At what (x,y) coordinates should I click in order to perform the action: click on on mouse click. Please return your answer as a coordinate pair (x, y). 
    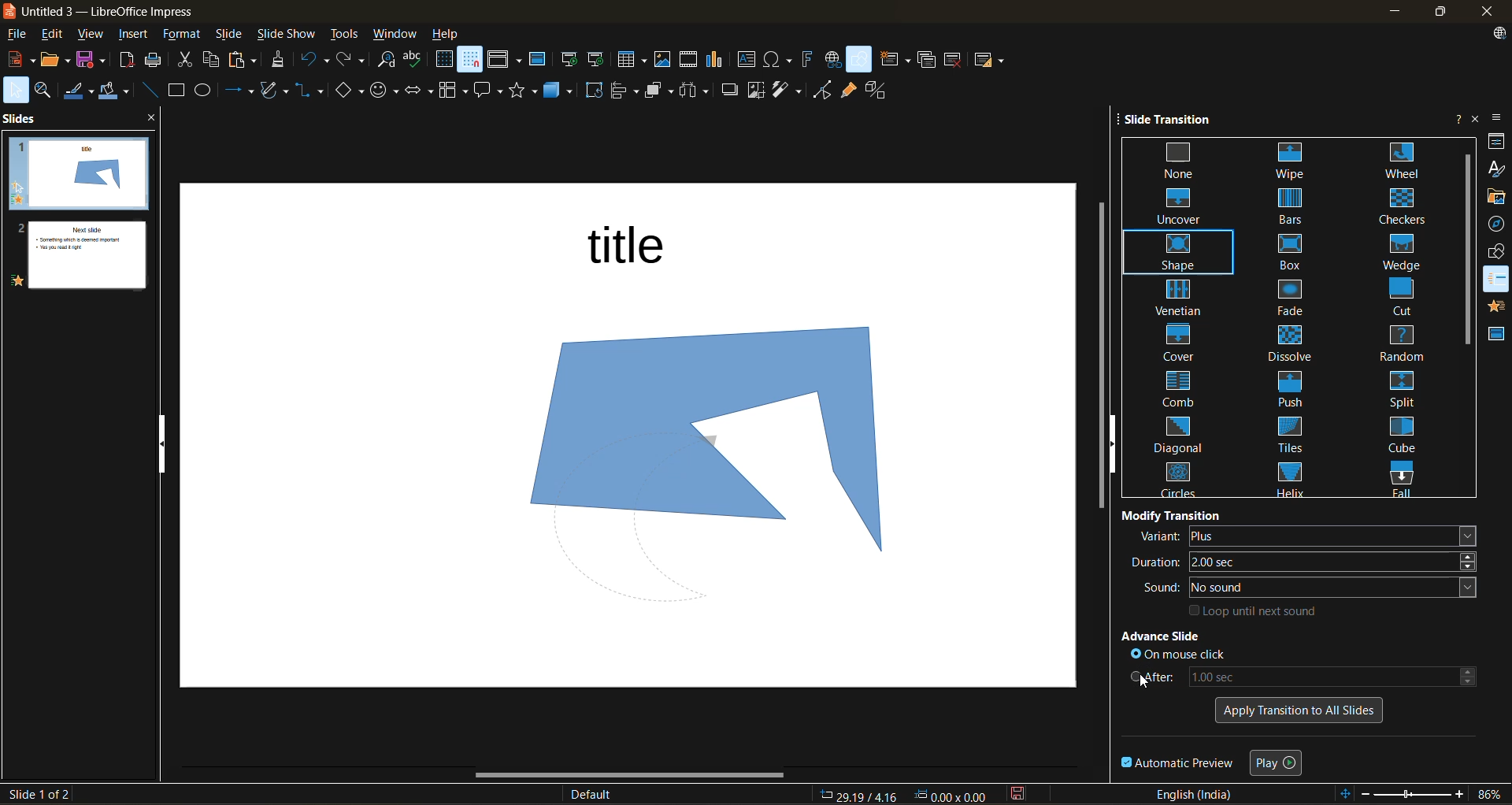
    Looking at the image, I should click on (1180, 653).